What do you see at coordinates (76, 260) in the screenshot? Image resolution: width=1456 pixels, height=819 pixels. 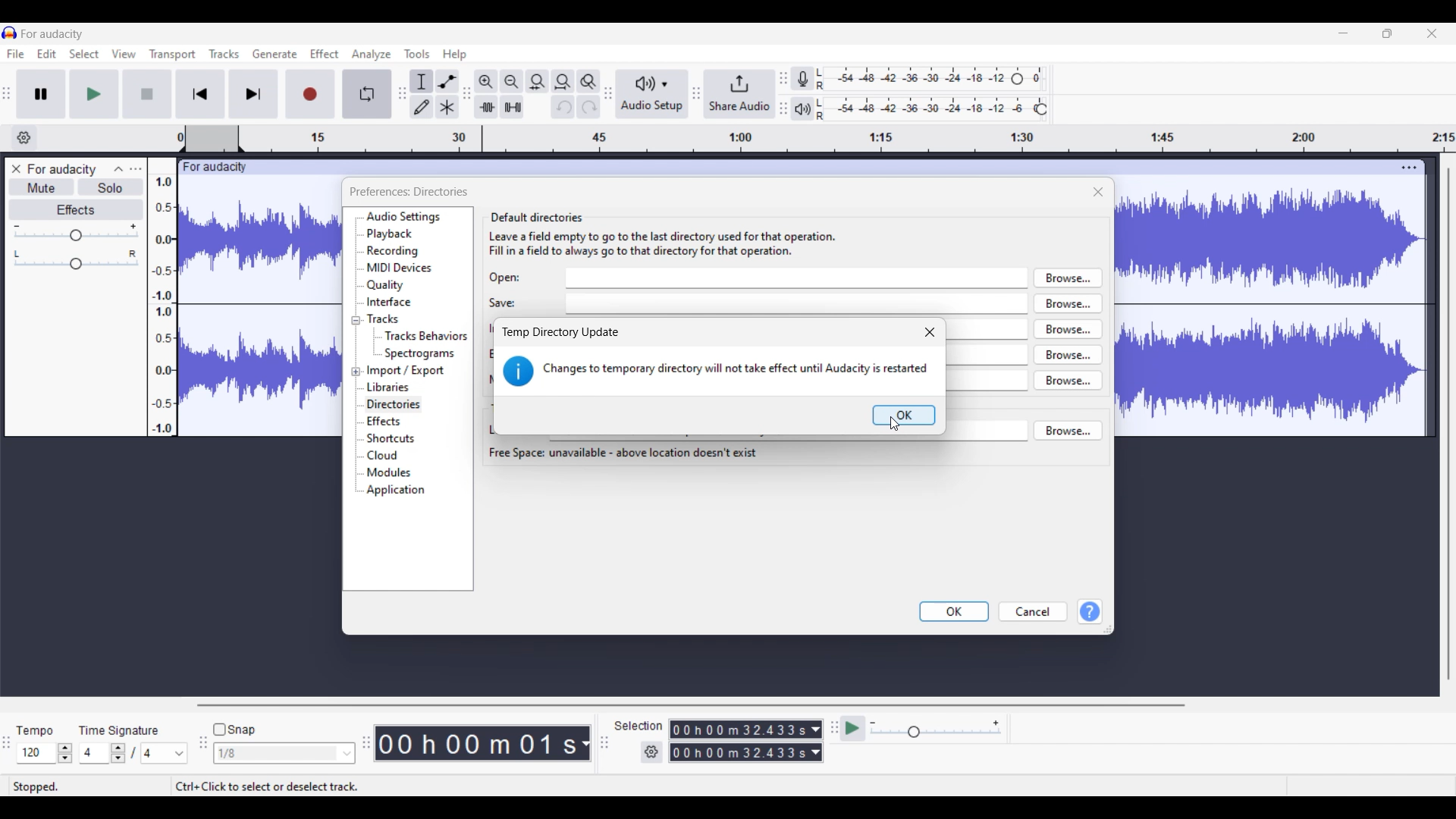 I see `Pan scale` at bounding box center [76, 260].